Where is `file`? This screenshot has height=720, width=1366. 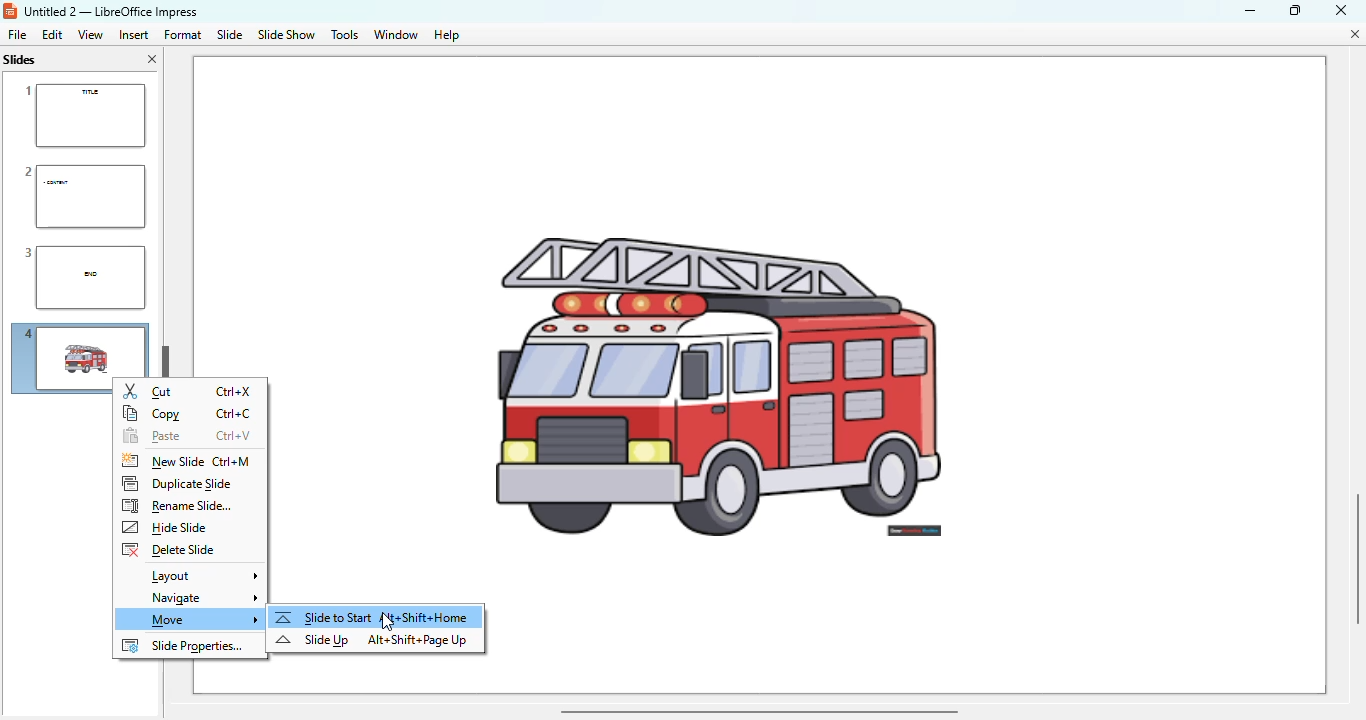
file is located at coordinates (17, 34).